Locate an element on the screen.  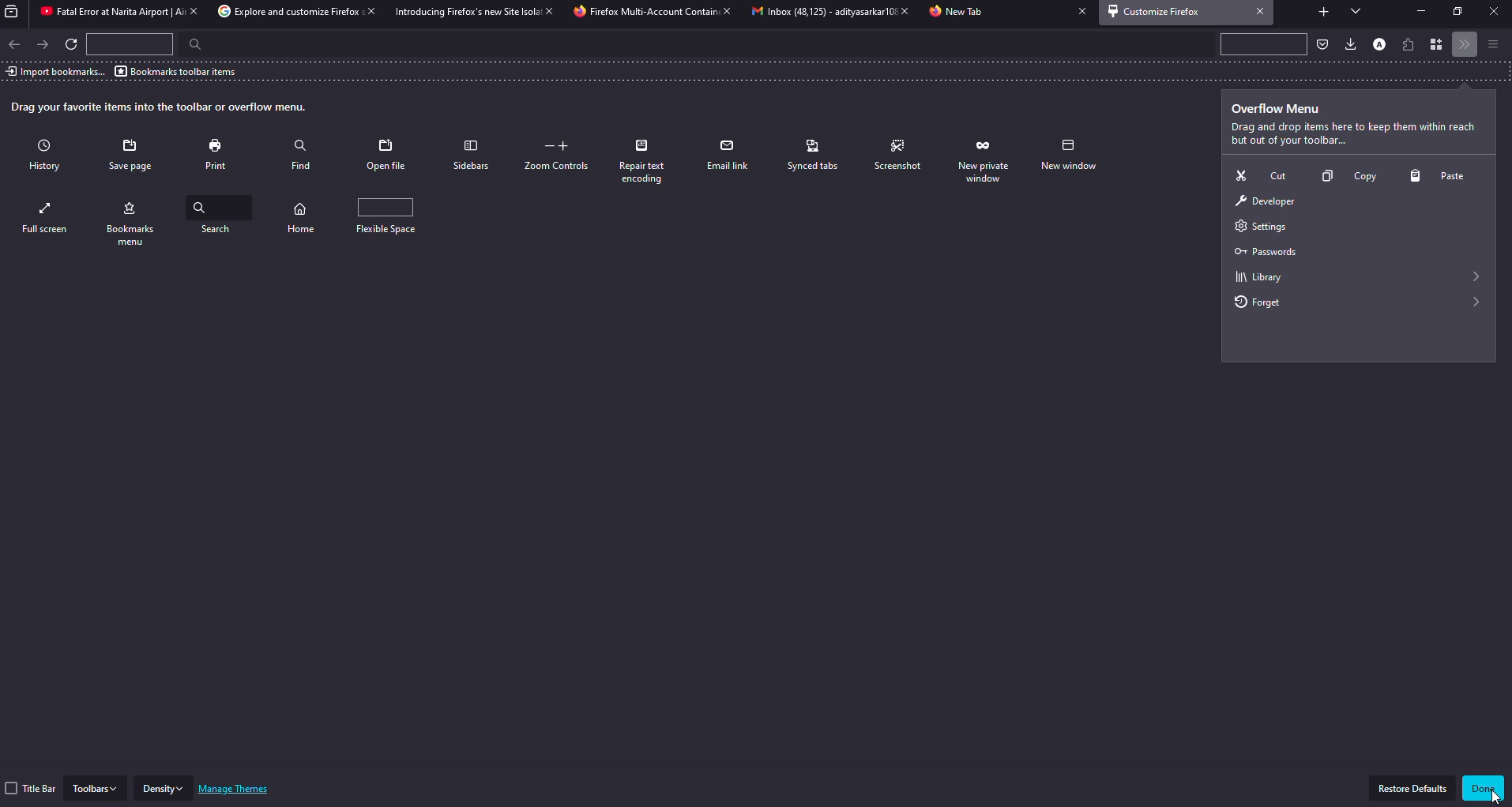
print is located at coordinates (219, 154).